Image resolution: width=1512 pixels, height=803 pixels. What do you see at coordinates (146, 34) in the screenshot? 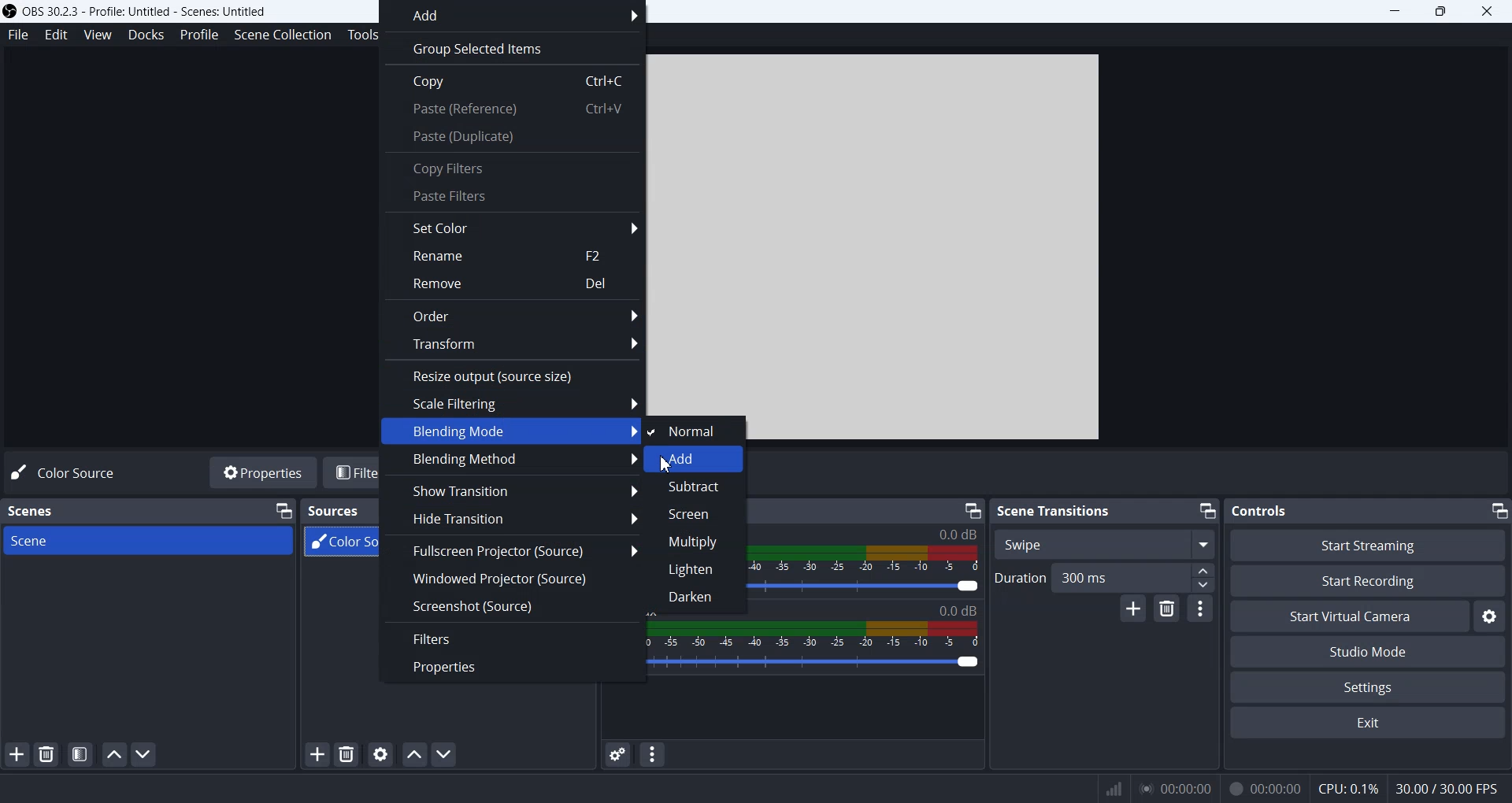
I see `Docks` at bounding box center [146, 34].